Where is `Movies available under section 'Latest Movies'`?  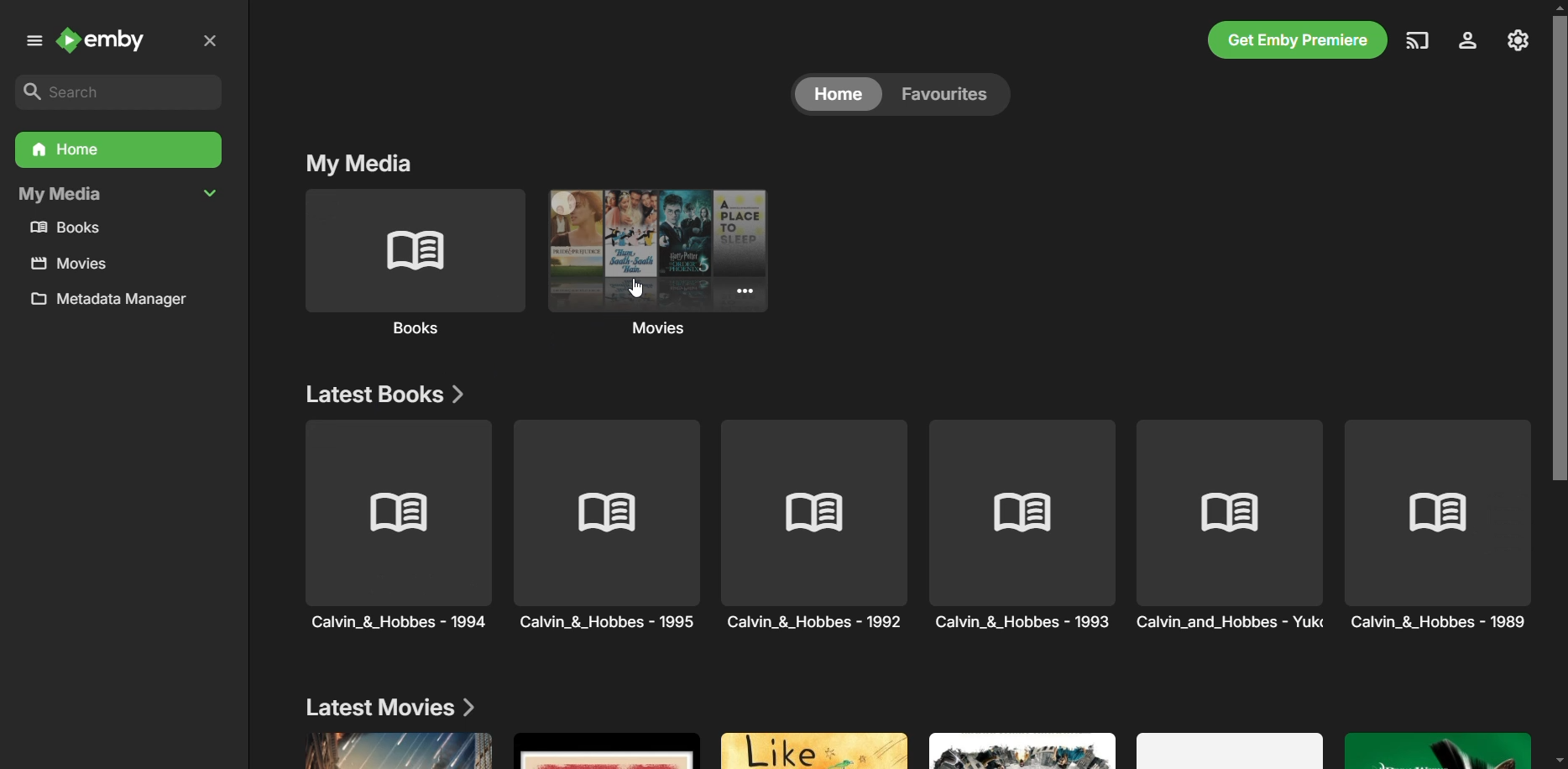
Movies available under section 'Latest Movies' is located at coordinates (910, 748).